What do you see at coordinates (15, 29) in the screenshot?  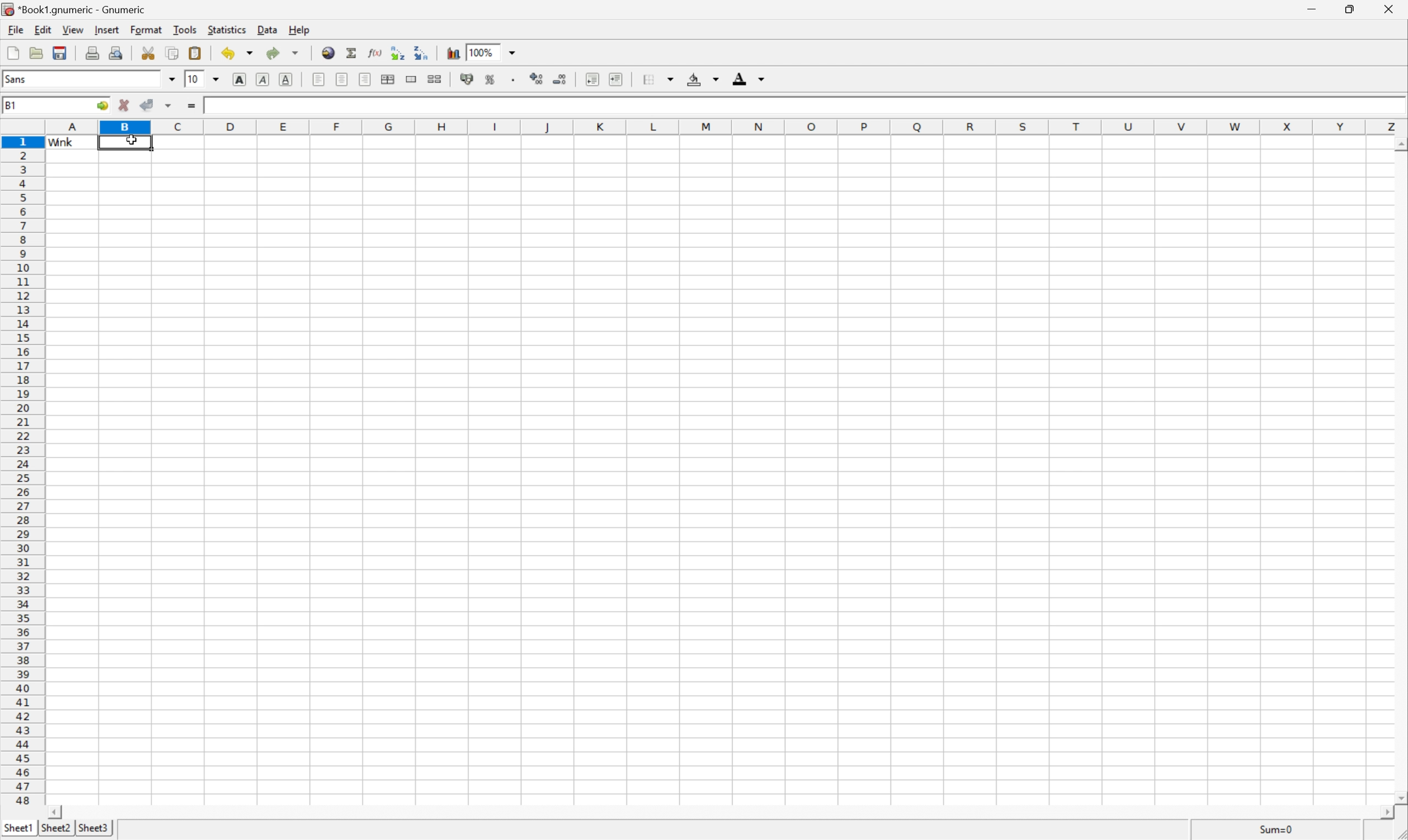 I see `file` at bounding box center [15, 29].